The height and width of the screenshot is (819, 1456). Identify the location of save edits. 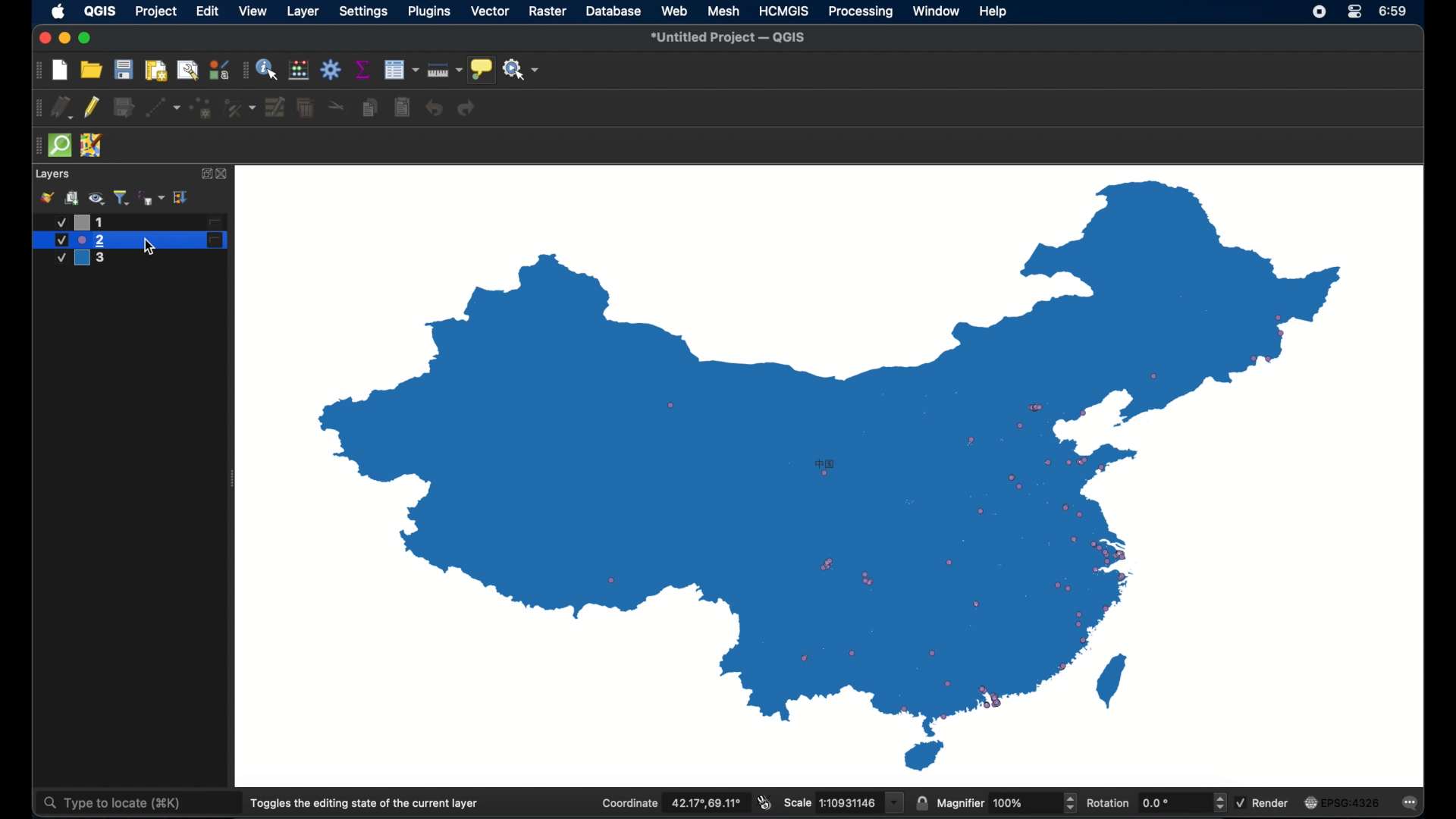
(124, 107).